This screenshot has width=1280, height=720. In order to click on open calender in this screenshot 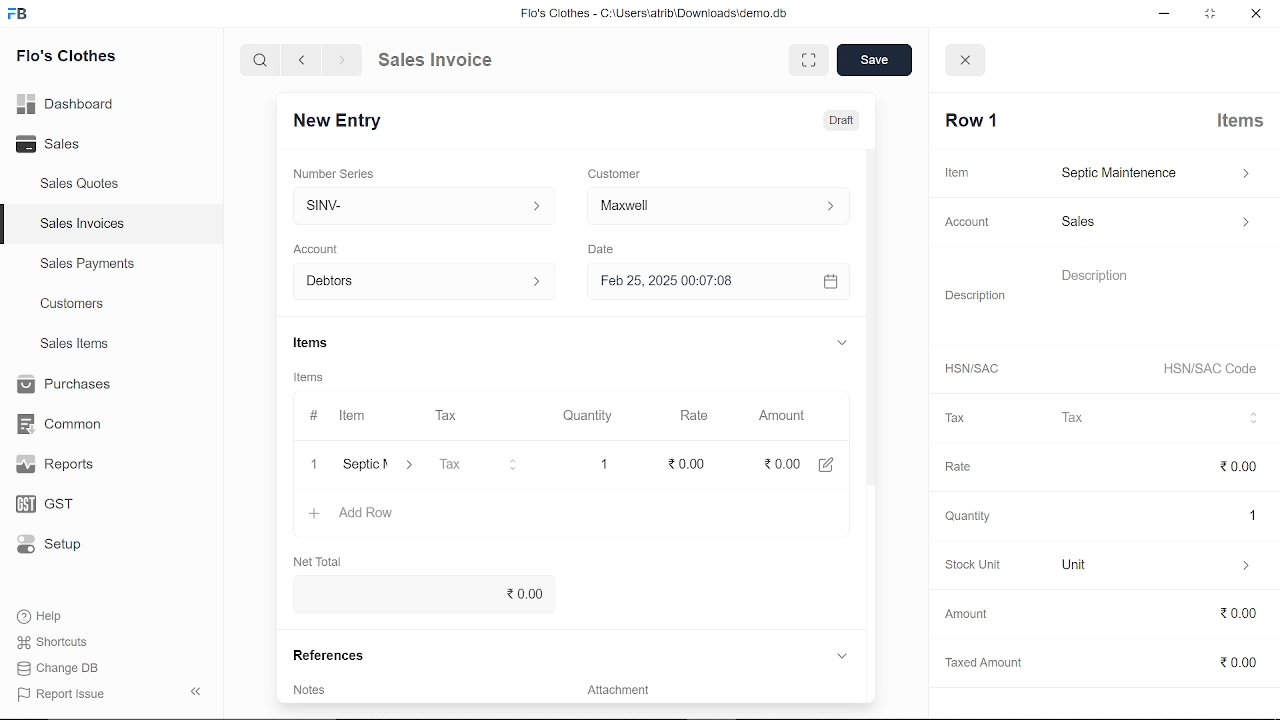, I will do `click(829, 281)`.